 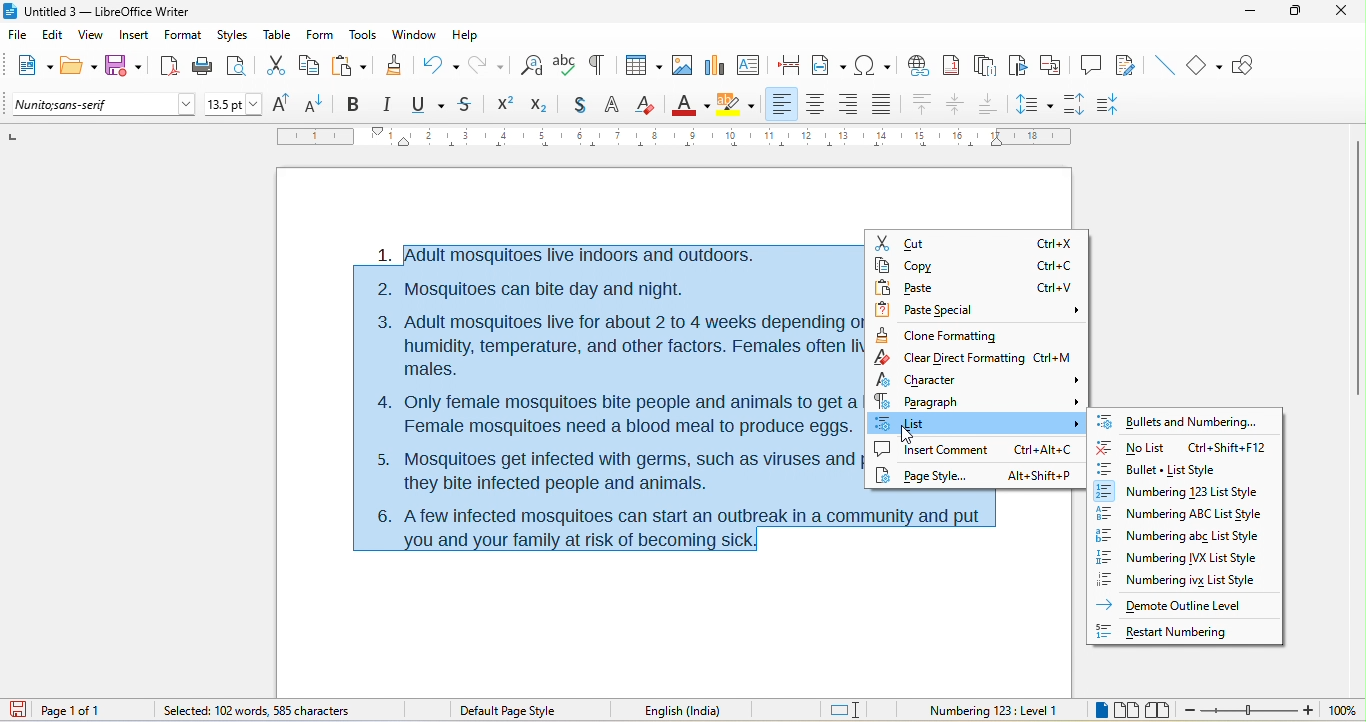 I want to click on Restart Numbering, so click(x=1175, y=630).